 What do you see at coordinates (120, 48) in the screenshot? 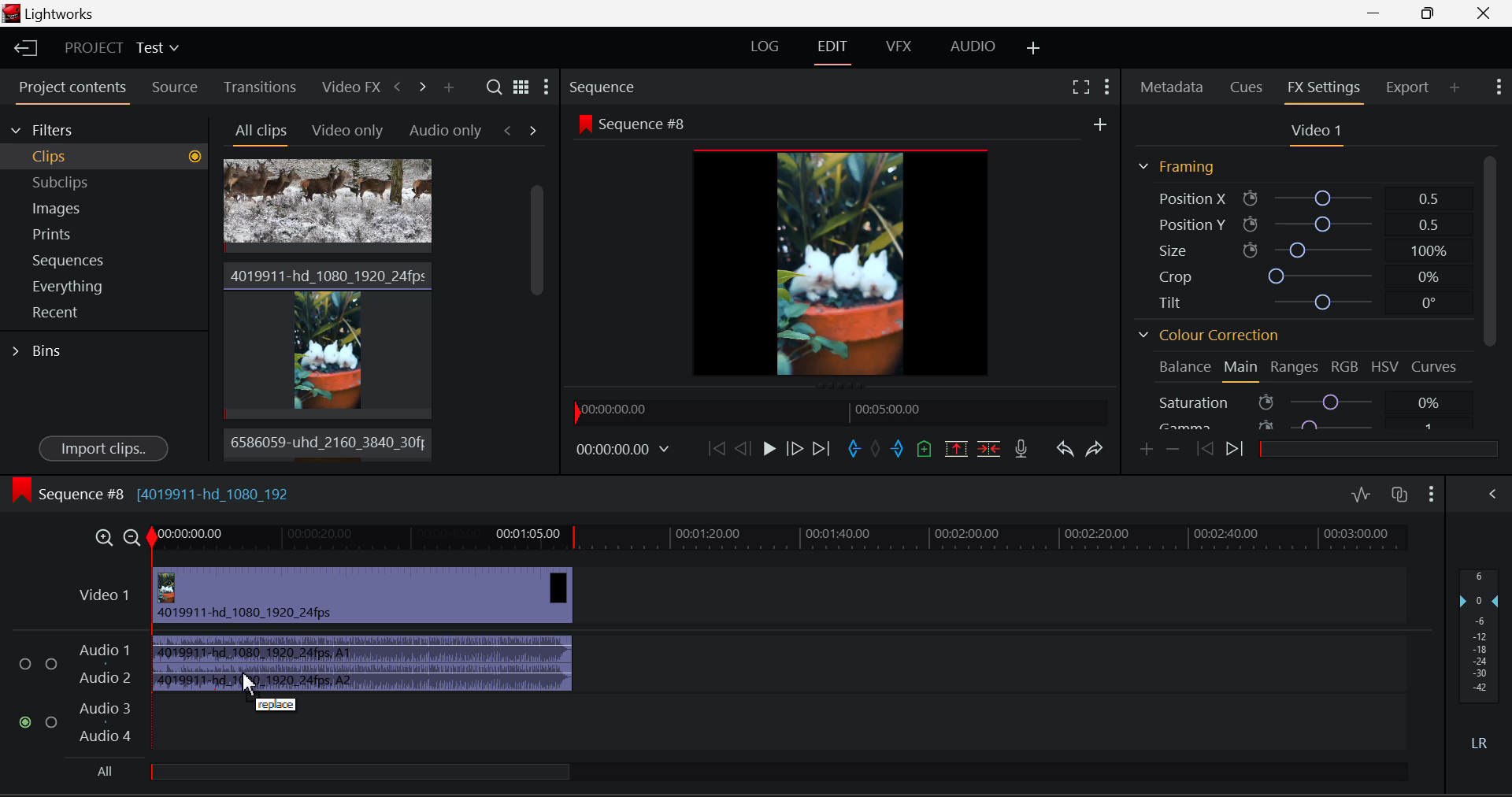
I see `Project Title` at bounding box center [120, 48].